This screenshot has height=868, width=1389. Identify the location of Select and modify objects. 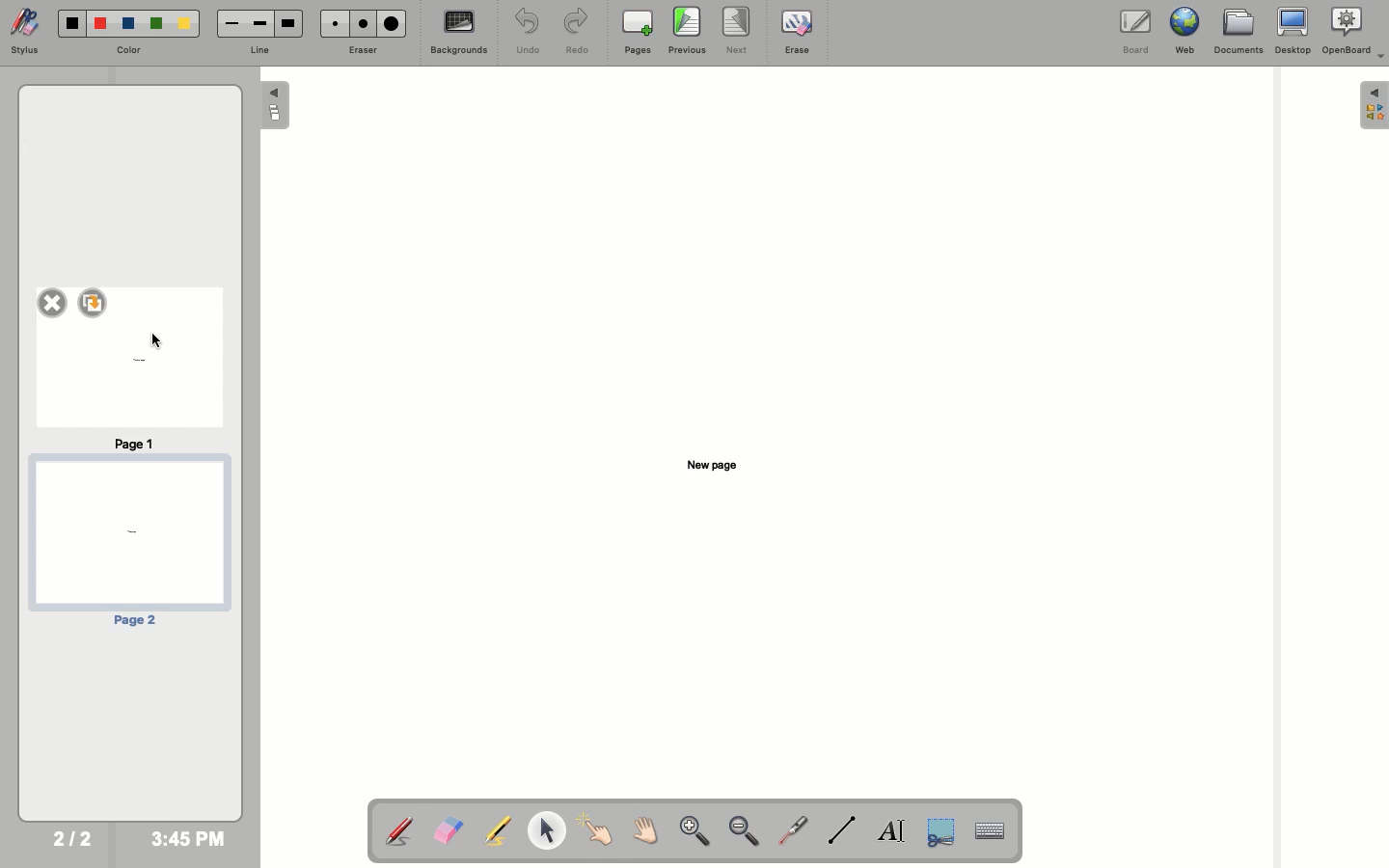
(546, 830).